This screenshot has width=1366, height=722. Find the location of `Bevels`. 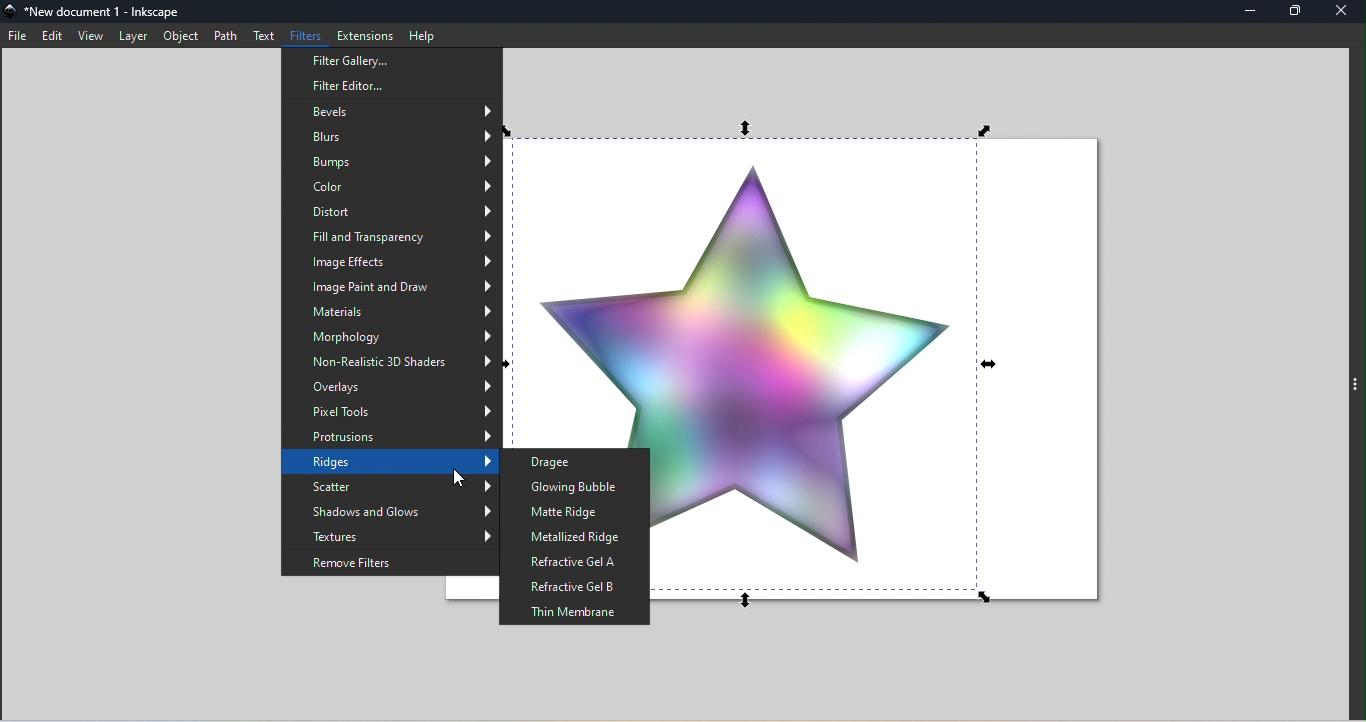

Bevels is located at coordinates (390, 109).